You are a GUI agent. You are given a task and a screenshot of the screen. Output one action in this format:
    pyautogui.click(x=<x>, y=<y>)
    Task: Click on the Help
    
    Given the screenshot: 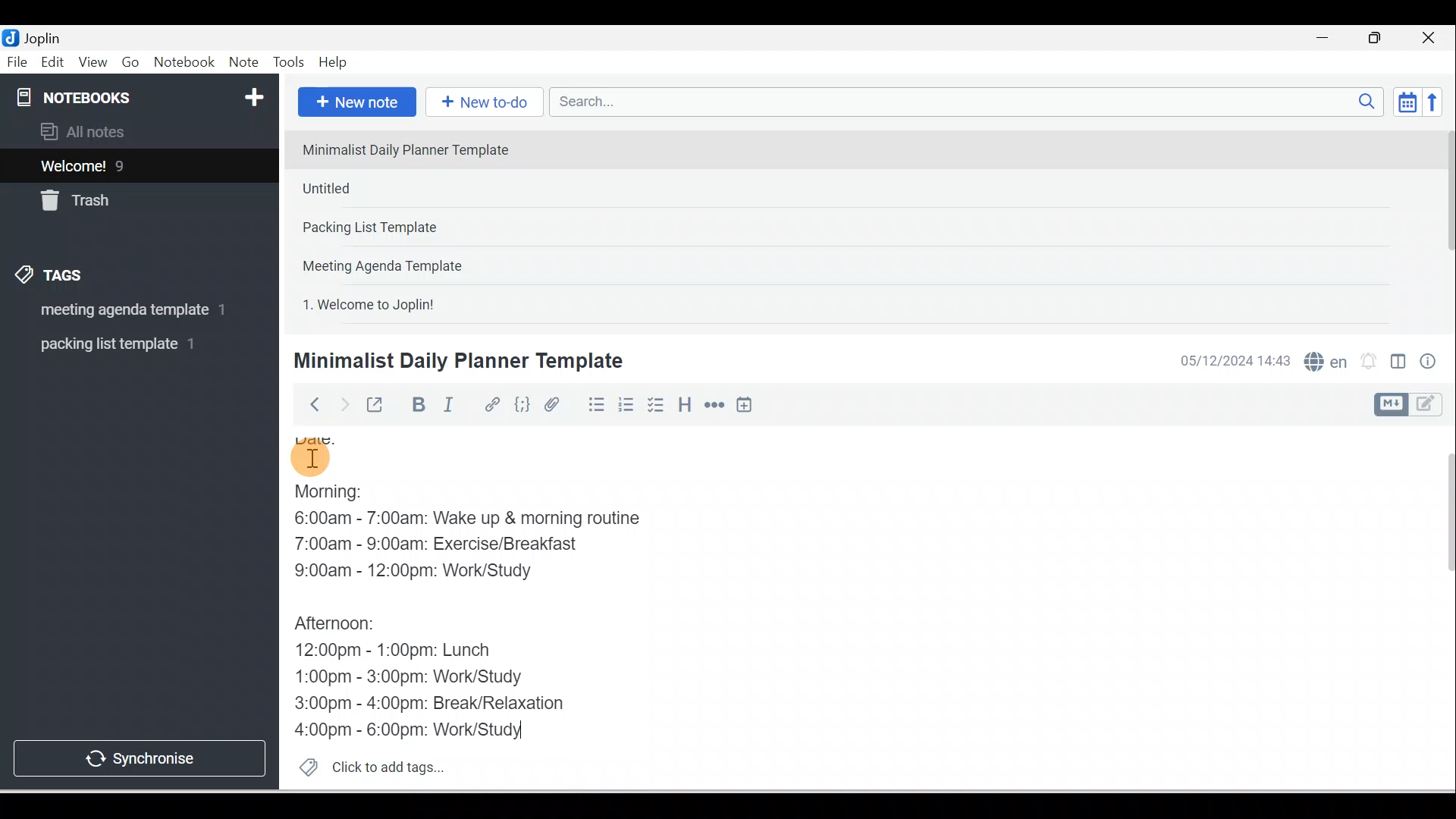 What is the action you would take?
    pyautogui.click(x=334, y=63)
    